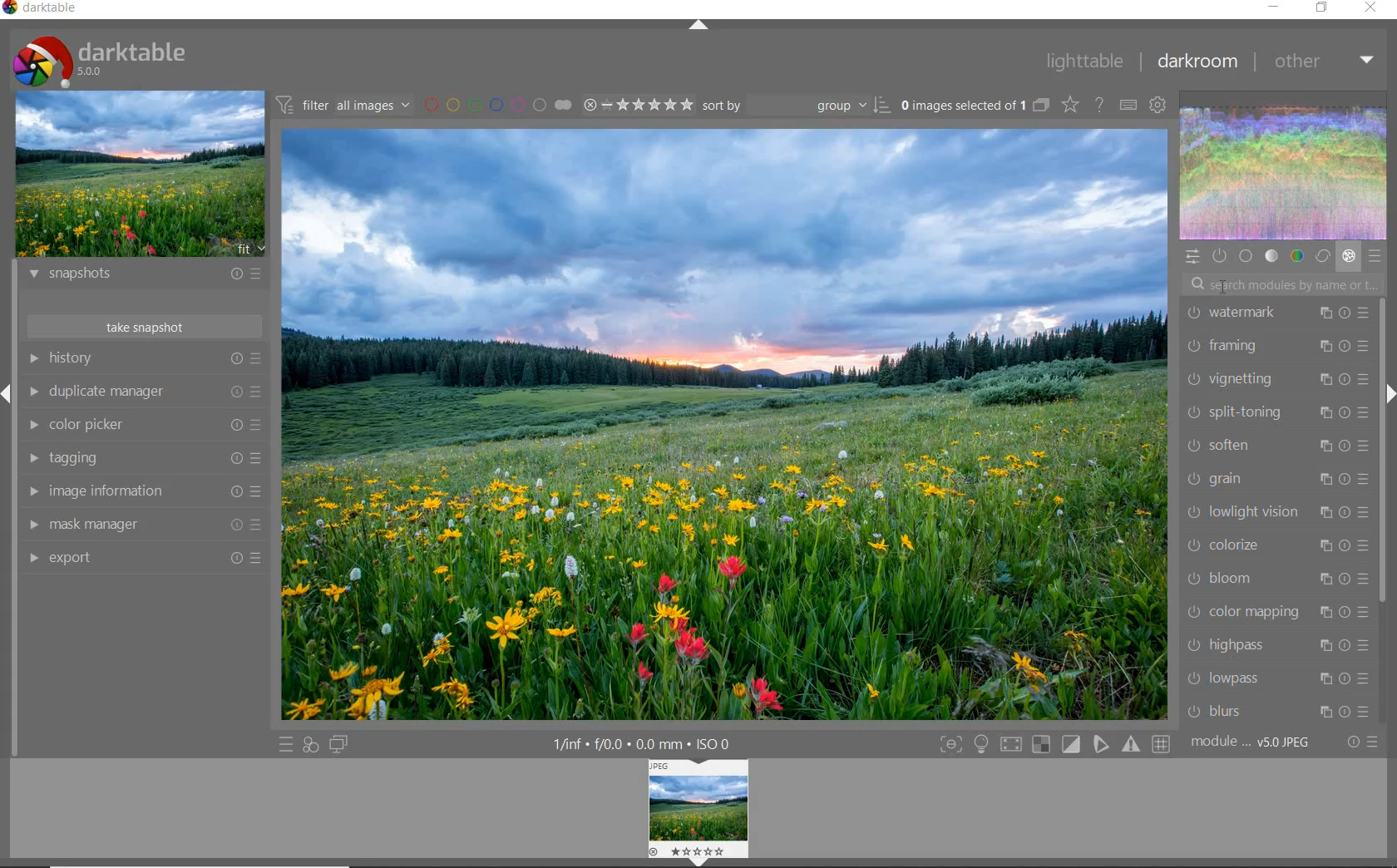  What do you see at coordinates (1218, 256) in the screenshot?
I see `show only active modules` at bounding box center [1218, 256].